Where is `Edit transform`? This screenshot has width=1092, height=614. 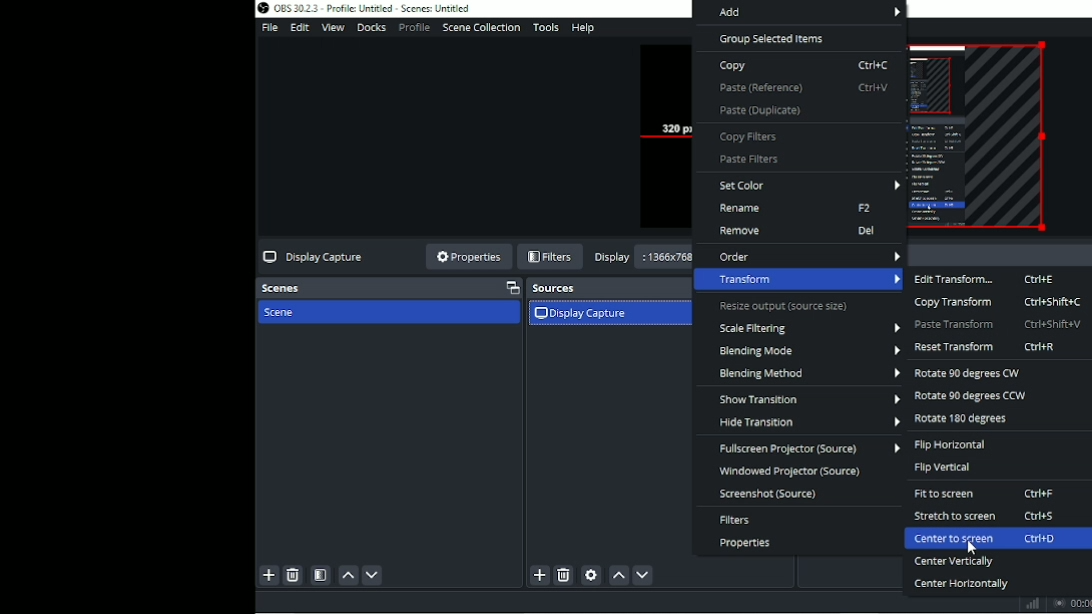 Edit transform is located at coordinates (985, 277).